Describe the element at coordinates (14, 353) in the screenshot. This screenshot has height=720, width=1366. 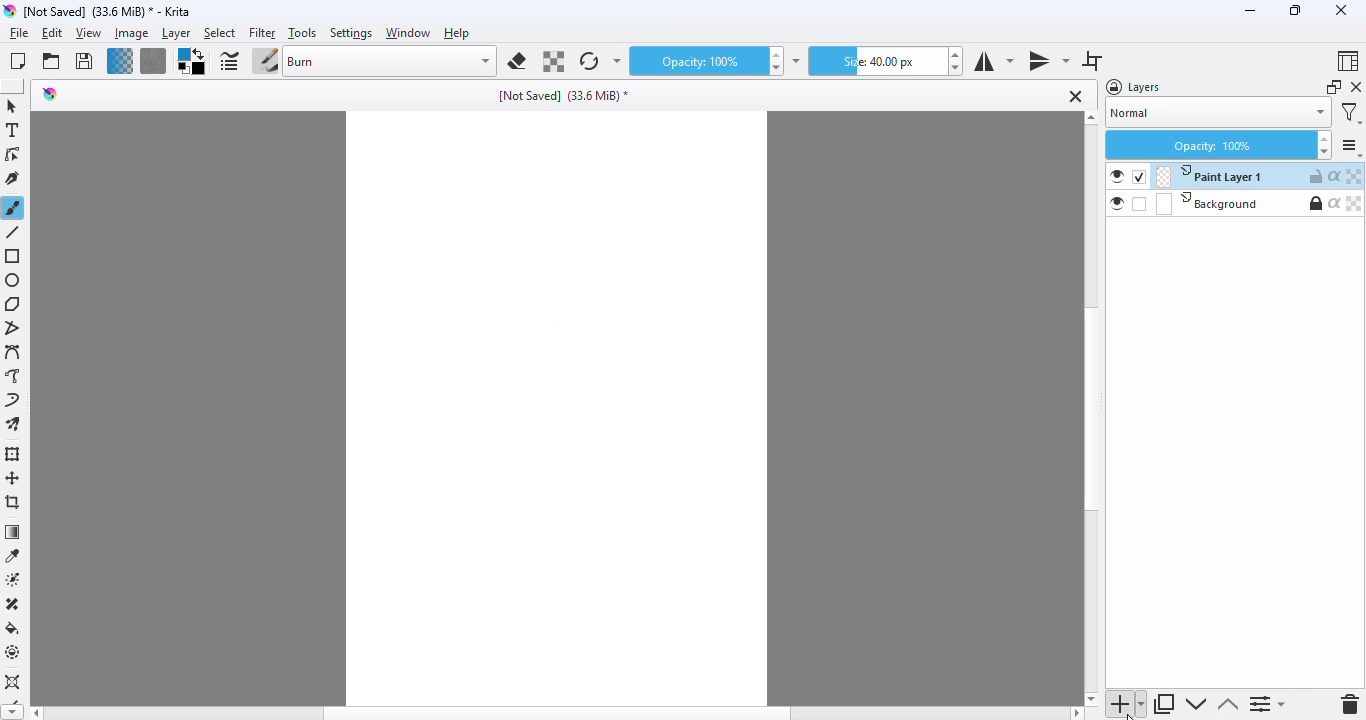
I see `bezier curve tool` at that location.